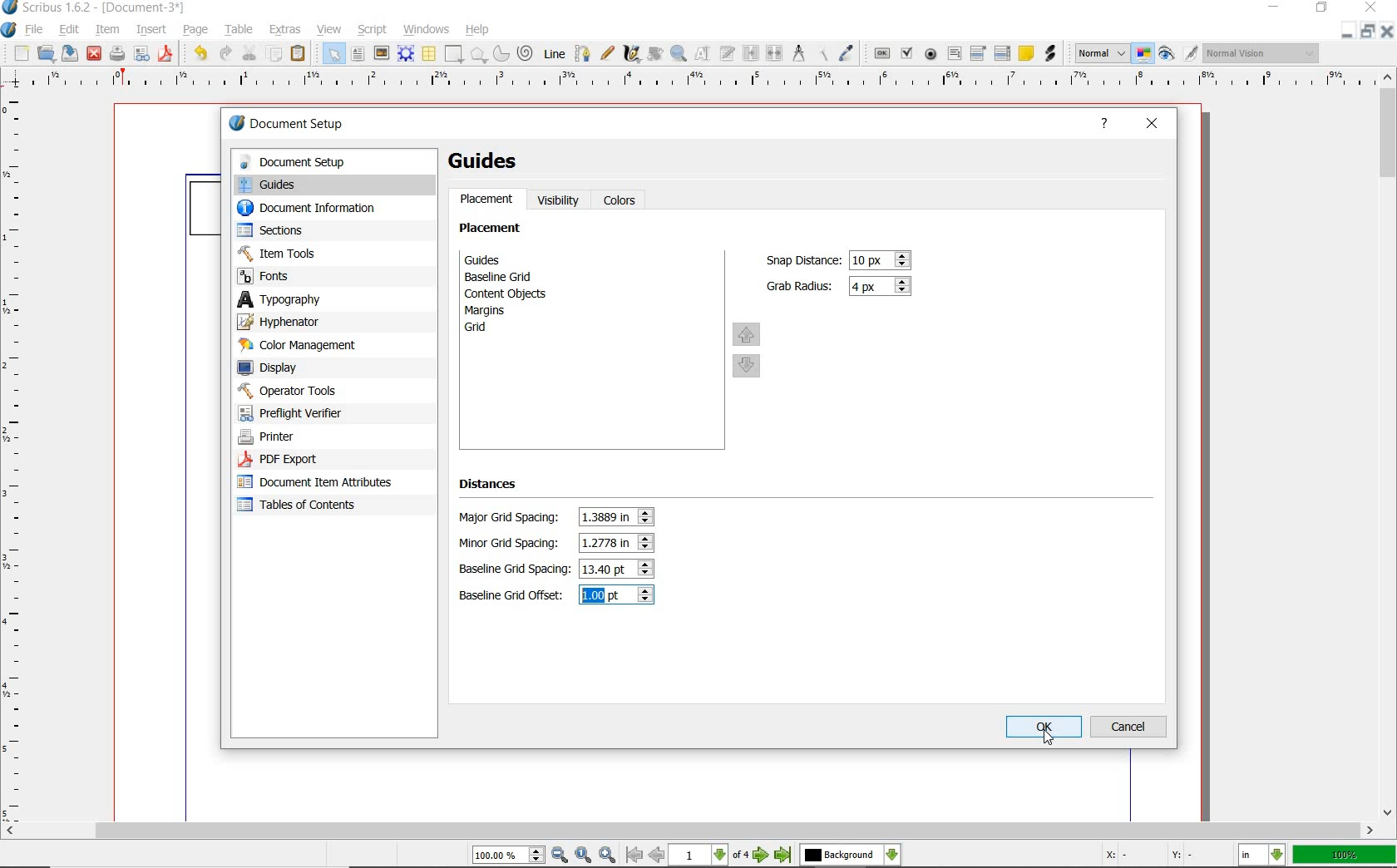  What do you see at coordinates (327, 391) in the screenshot?
I see `operator tools` at bounding box center [327, 391].